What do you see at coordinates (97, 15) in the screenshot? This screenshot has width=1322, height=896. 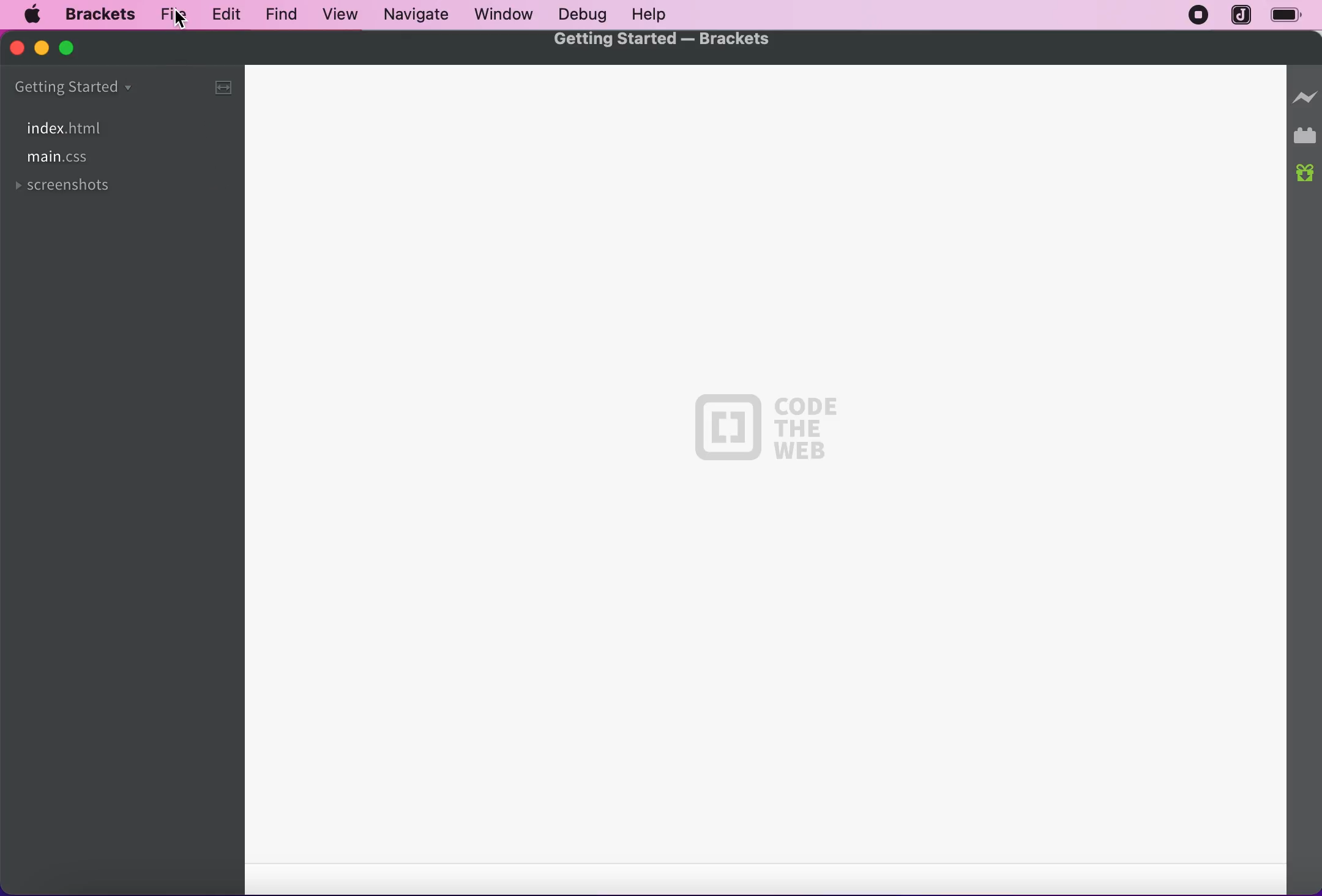 I see `brackets` at bounding box center [97, 15].